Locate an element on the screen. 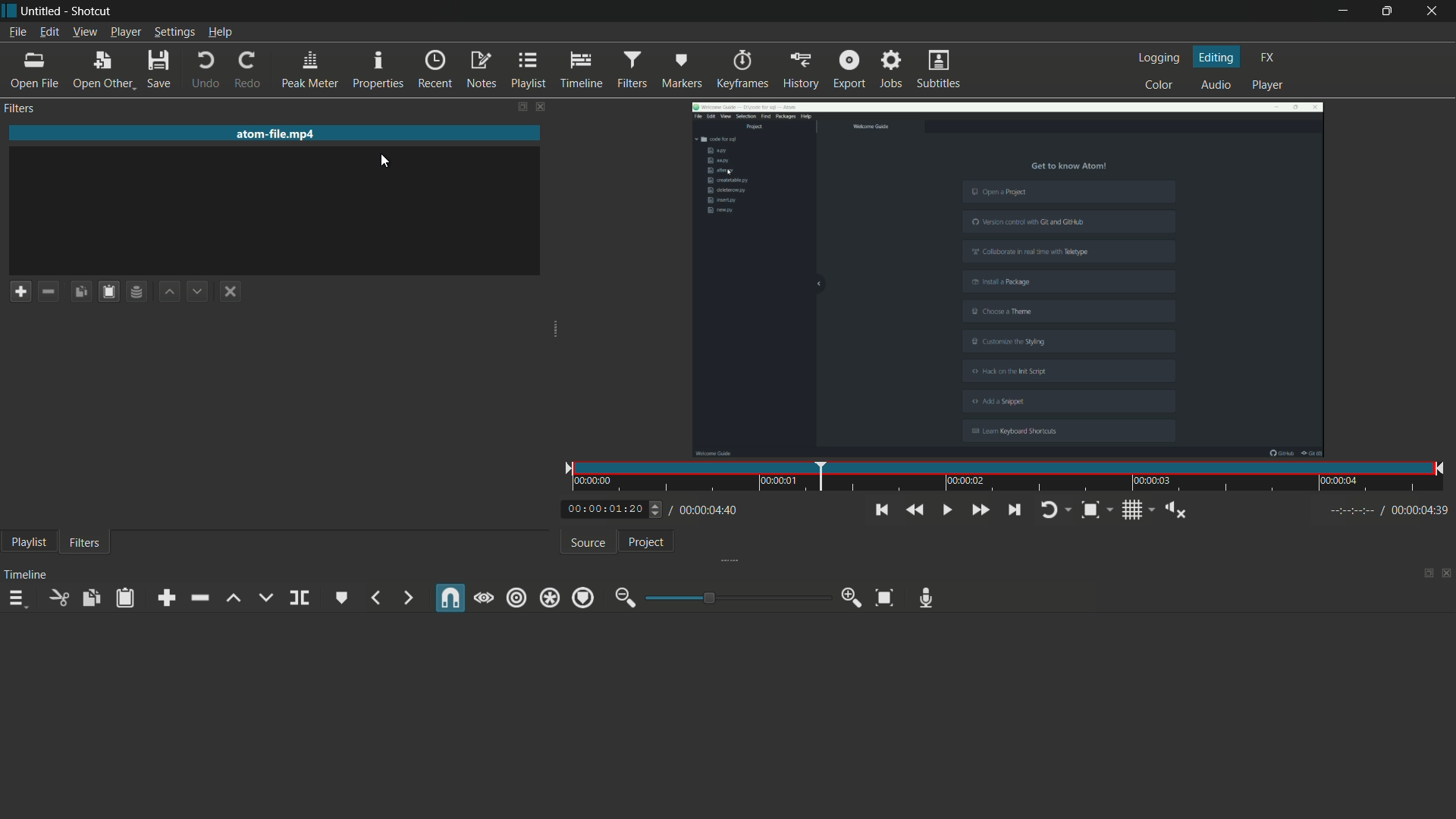 Image resolution: width=1456 pixels, height=819 pixels. jobs is located at coordinates (893, 70).